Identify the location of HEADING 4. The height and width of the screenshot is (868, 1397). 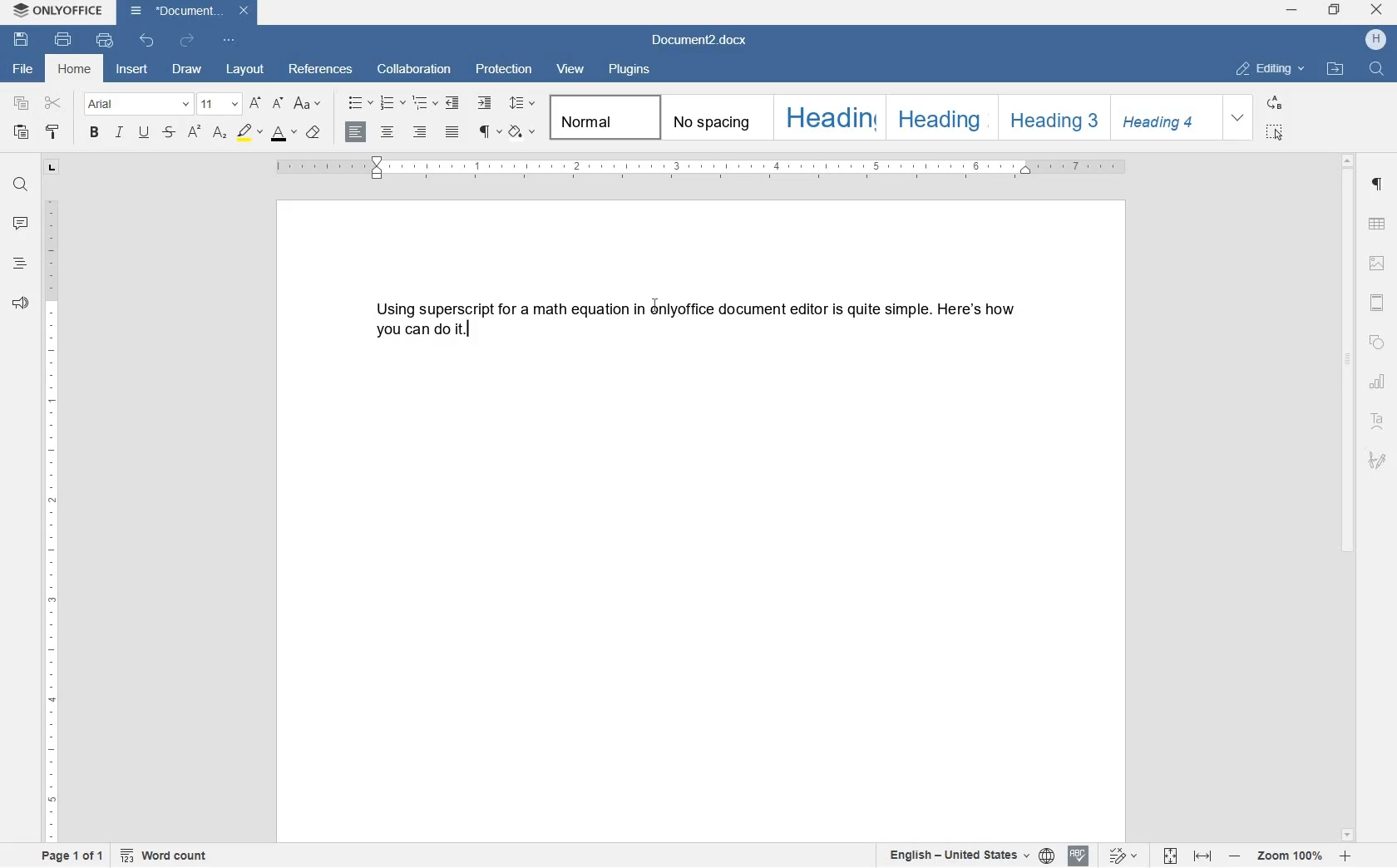
(1164, 118).